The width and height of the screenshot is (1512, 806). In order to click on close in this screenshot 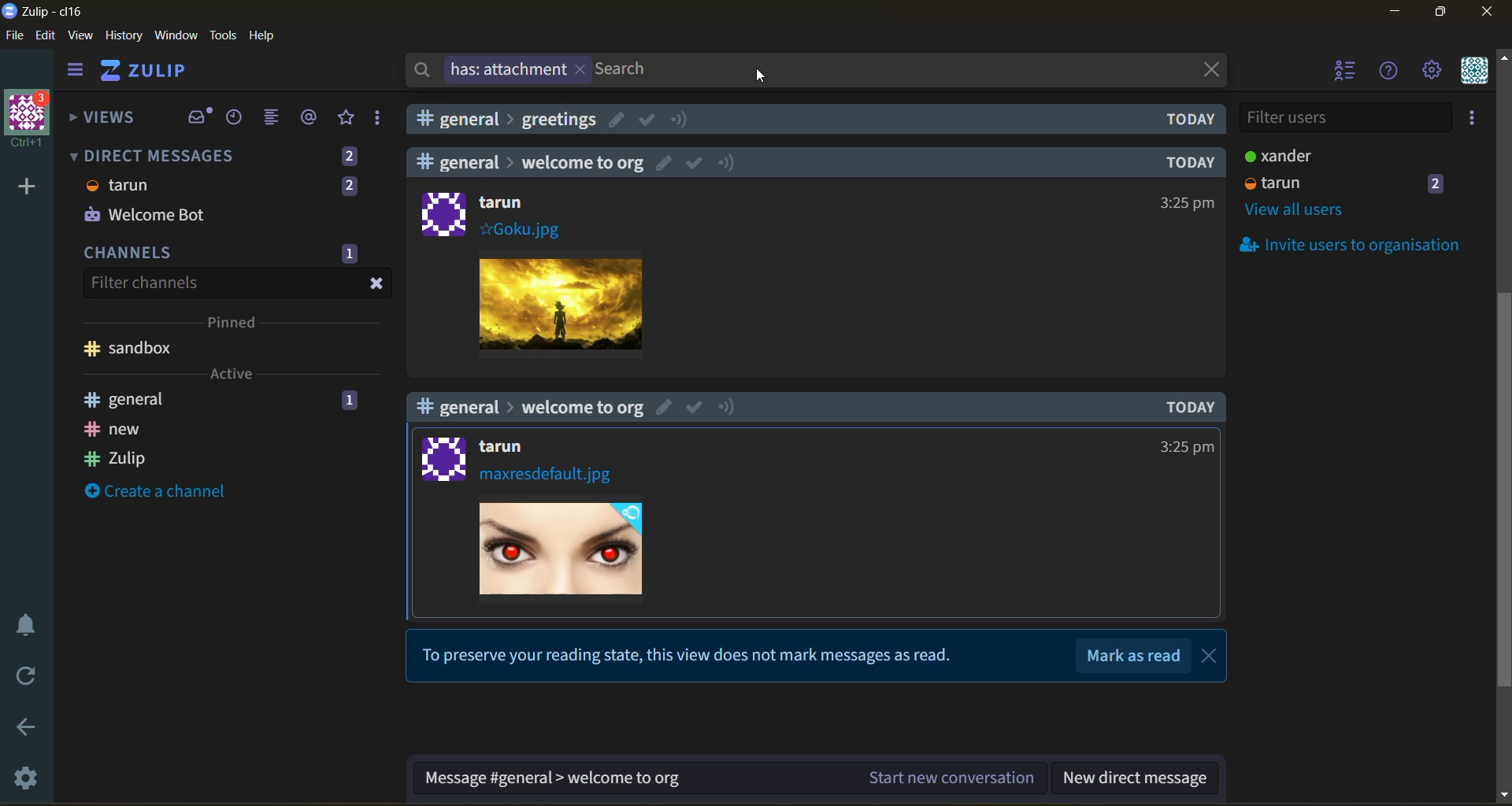, I will do `click(1489, 12)`.